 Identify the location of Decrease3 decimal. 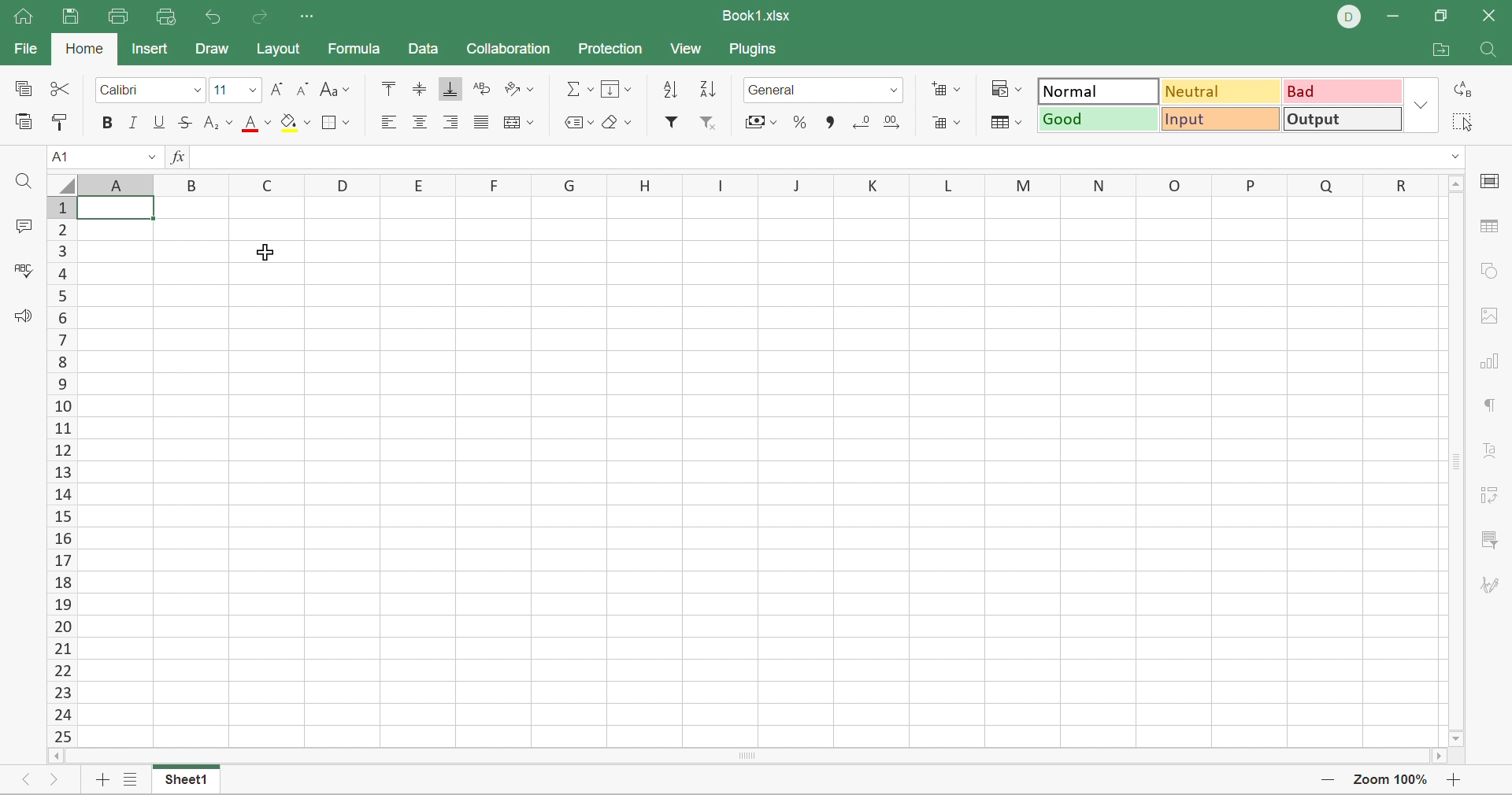
(863, 120).